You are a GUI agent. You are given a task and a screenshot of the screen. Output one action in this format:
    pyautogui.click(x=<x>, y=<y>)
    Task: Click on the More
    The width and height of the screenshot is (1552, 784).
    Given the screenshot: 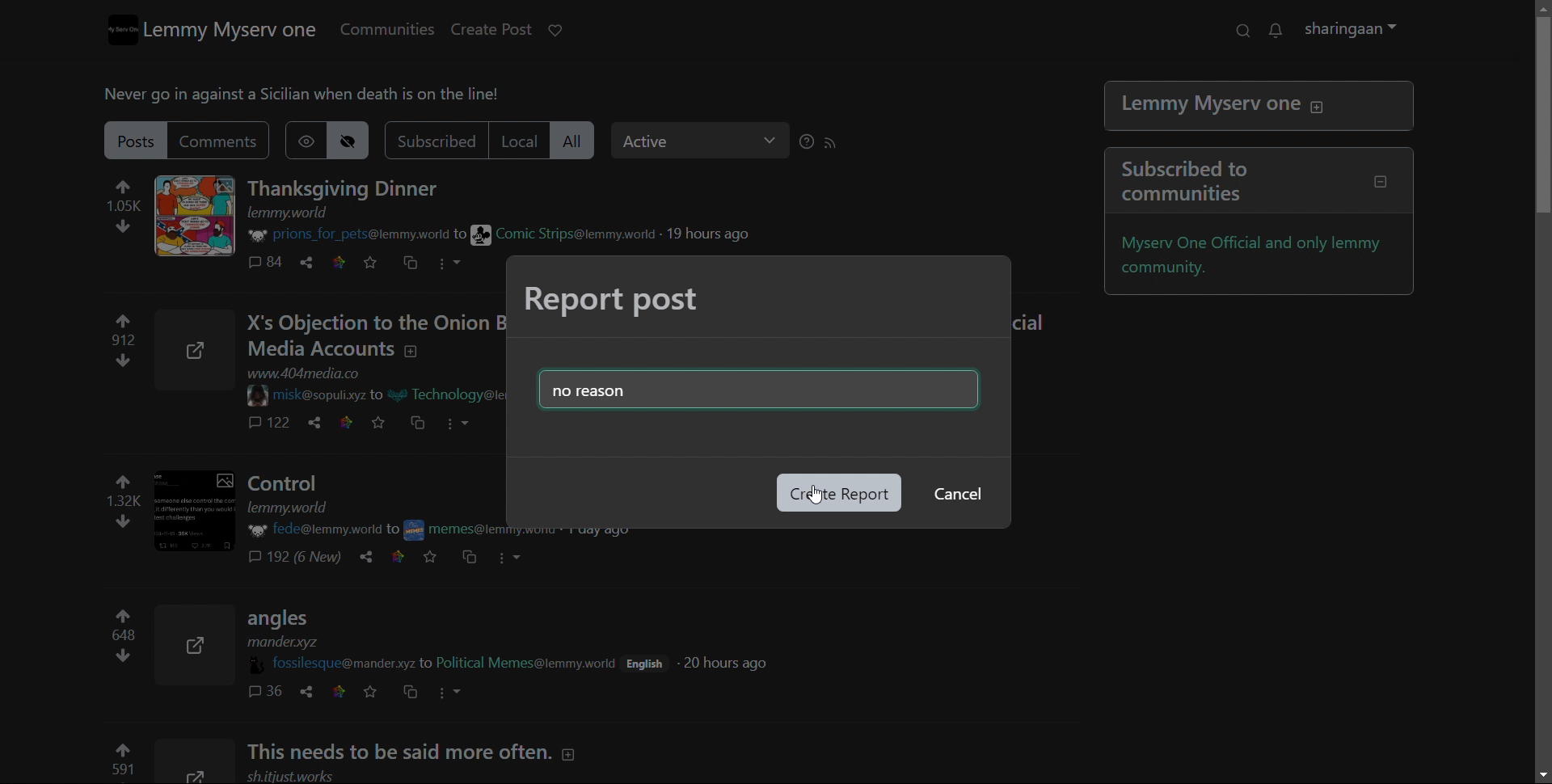 What is the action you would take?
    pyautogui.click(x=473, y=423)
    